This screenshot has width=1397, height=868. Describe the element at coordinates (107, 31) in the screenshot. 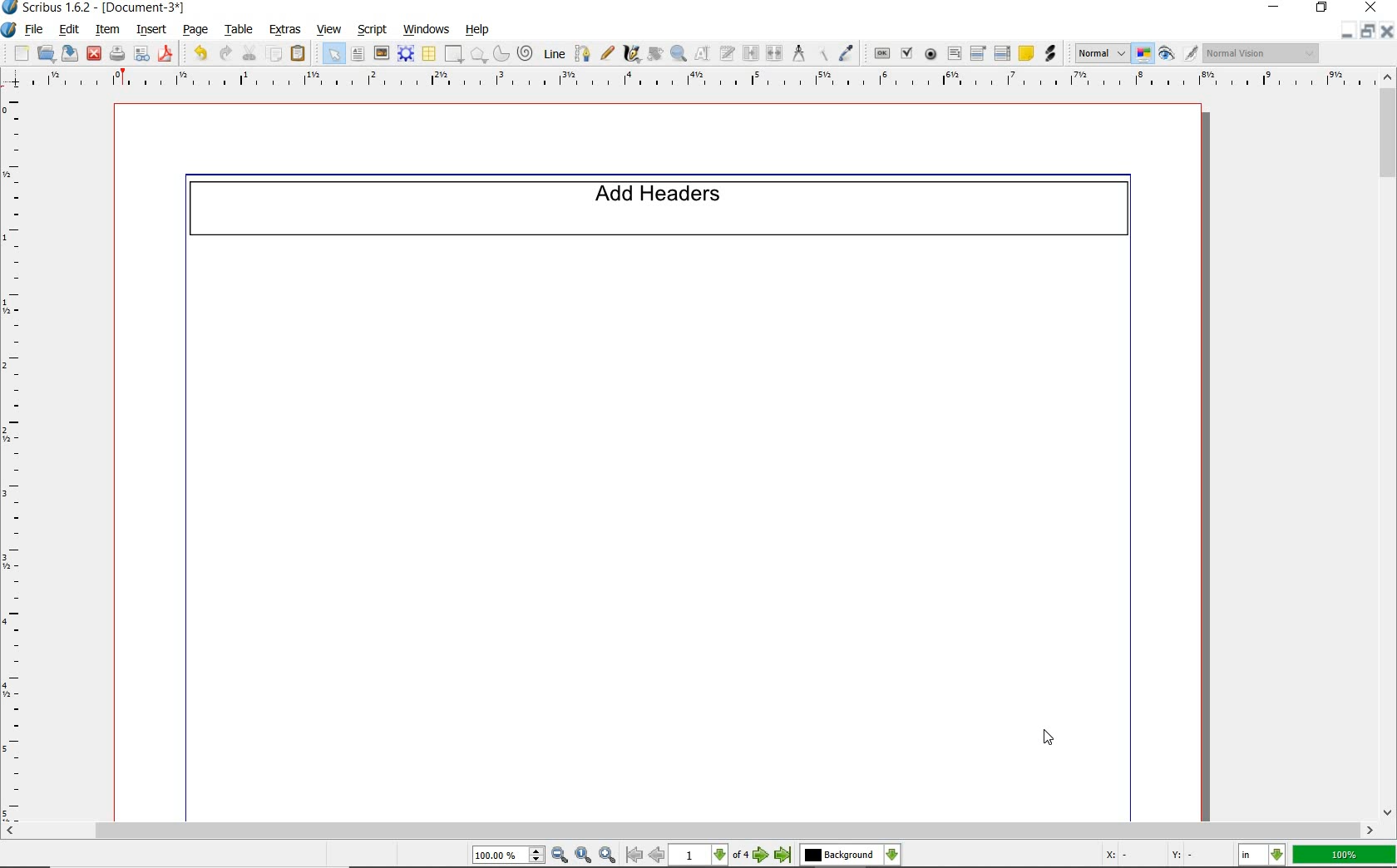

I see `item` at that location.